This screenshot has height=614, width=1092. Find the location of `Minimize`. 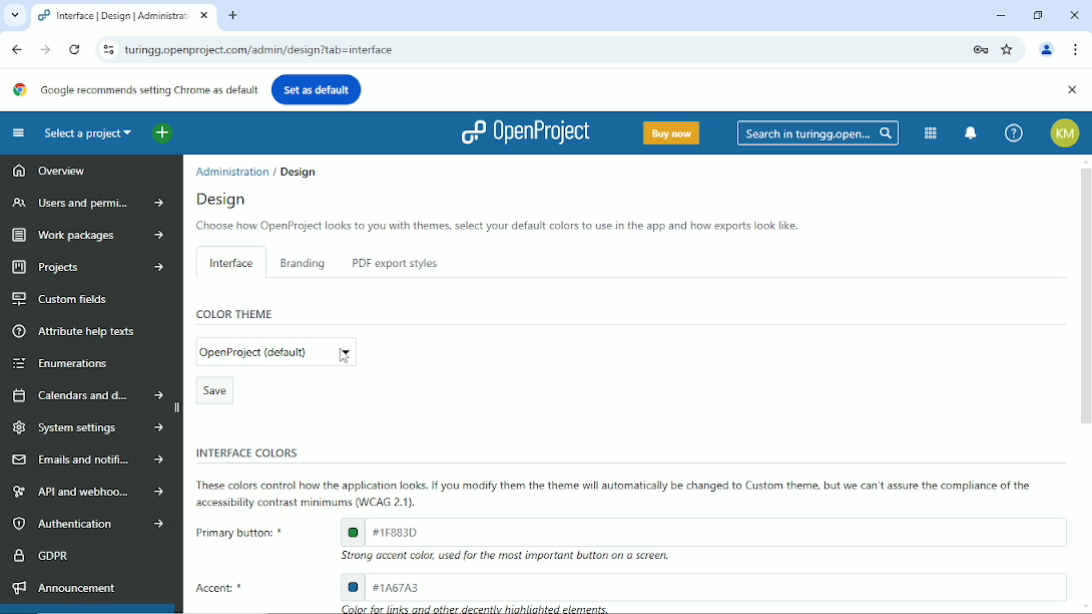

Minimize is located at coordinates (1001, 15).